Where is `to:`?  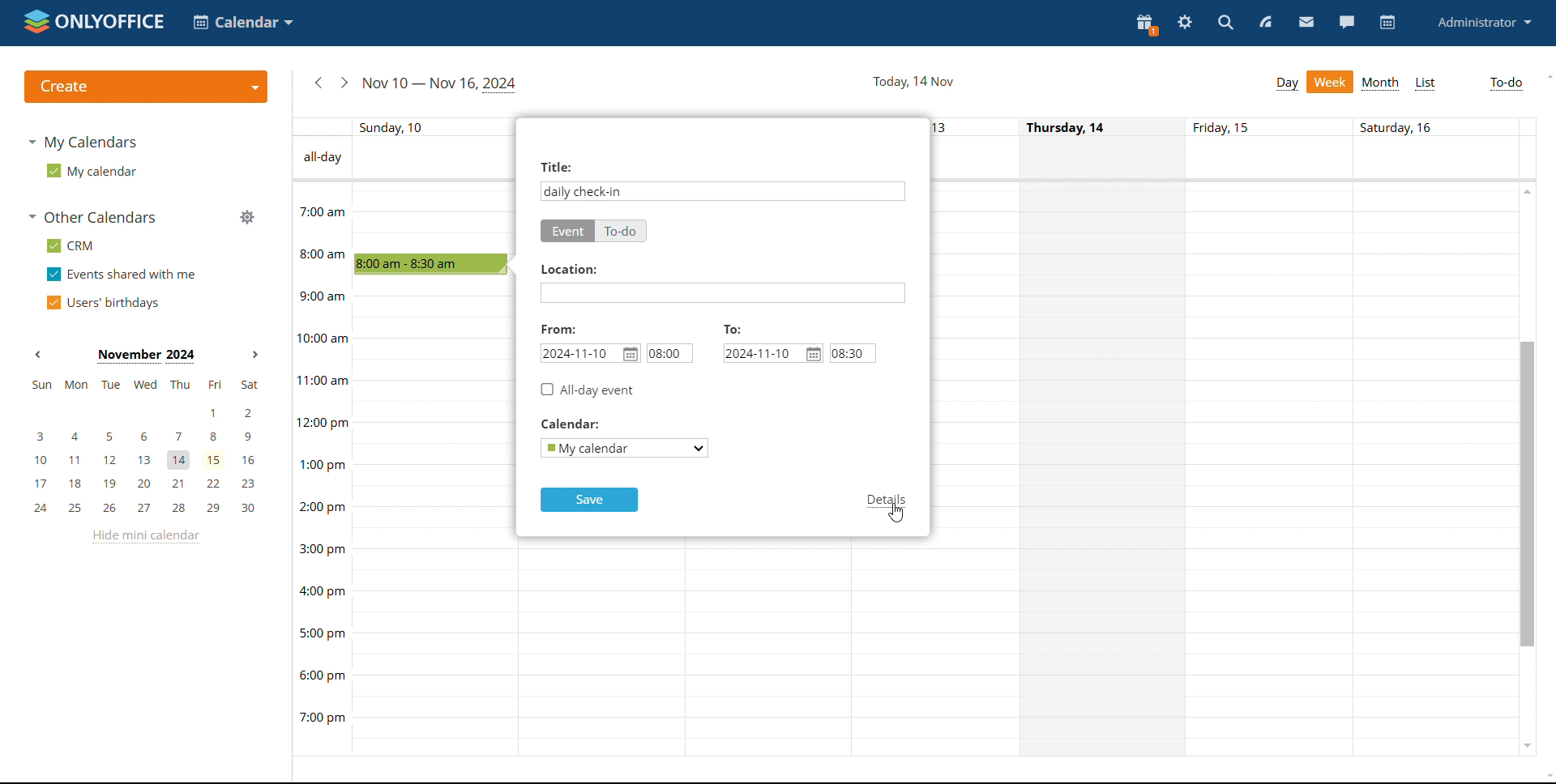
to: is located at coordinates (737, 330).